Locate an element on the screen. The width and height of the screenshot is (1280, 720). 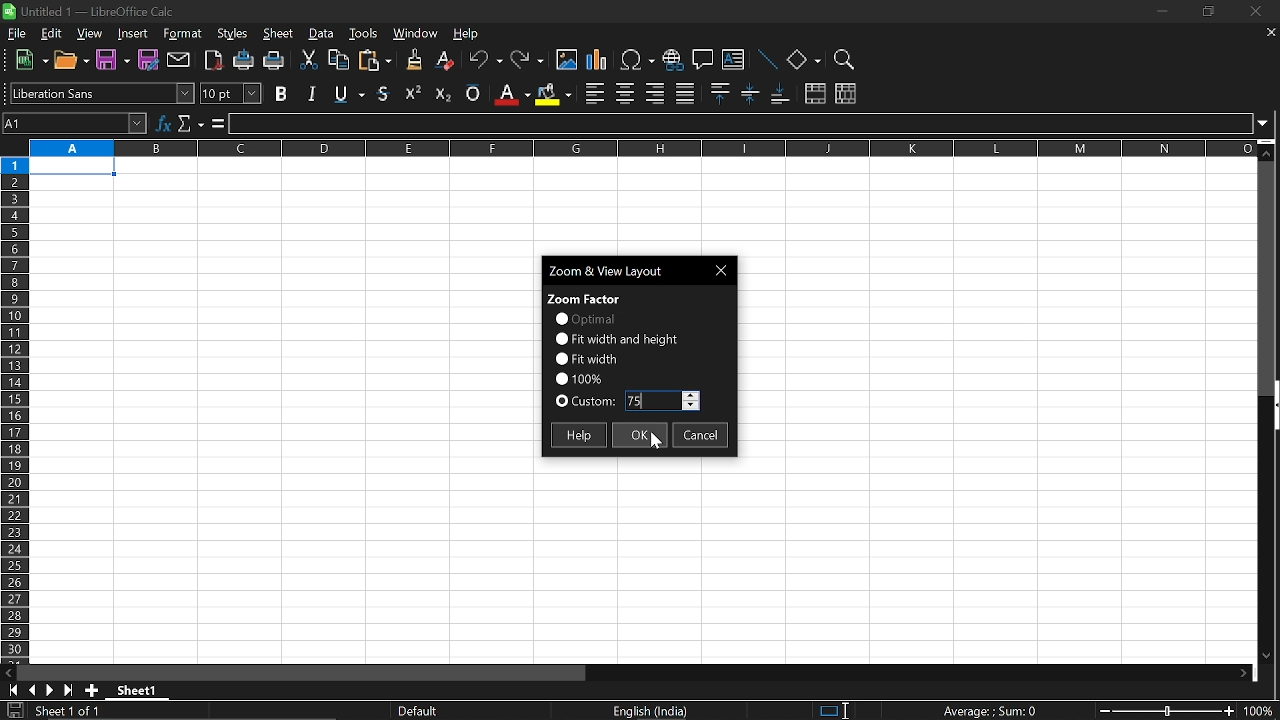
Cursor is located at coordinates (656, 441).